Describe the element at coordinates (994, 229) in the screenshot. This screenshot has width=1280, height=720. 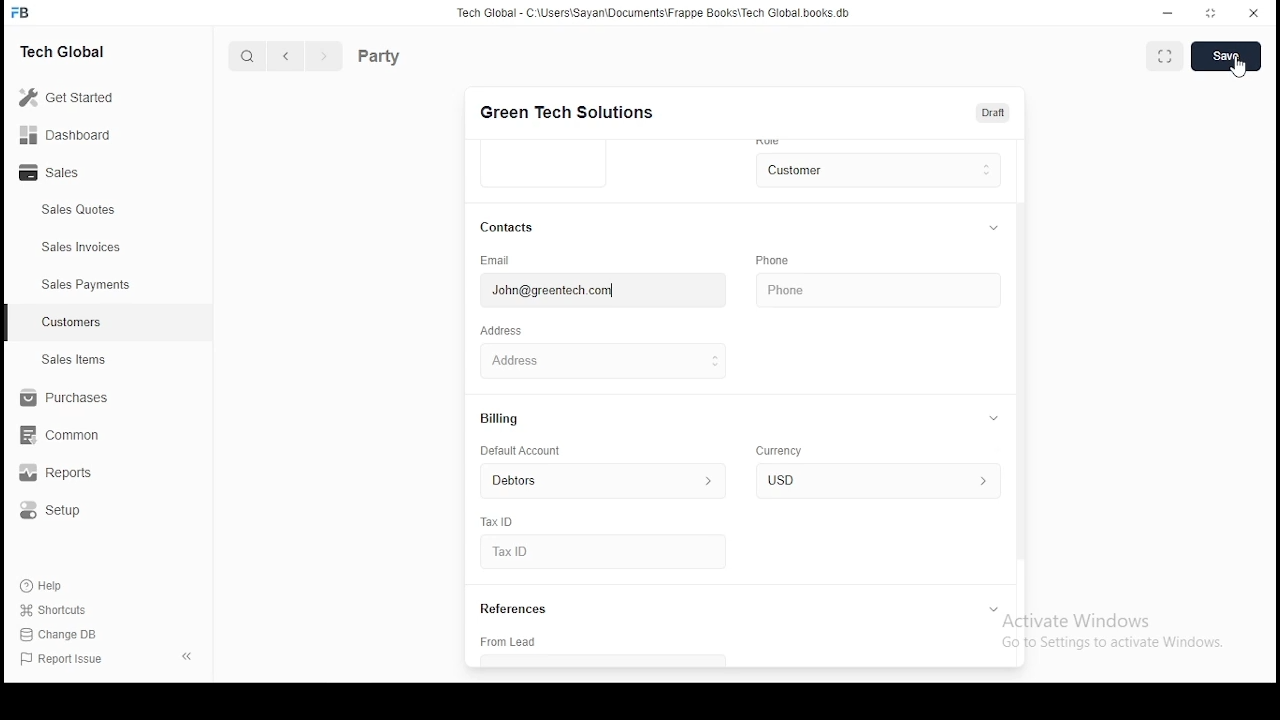
I see `collapse` at that location.